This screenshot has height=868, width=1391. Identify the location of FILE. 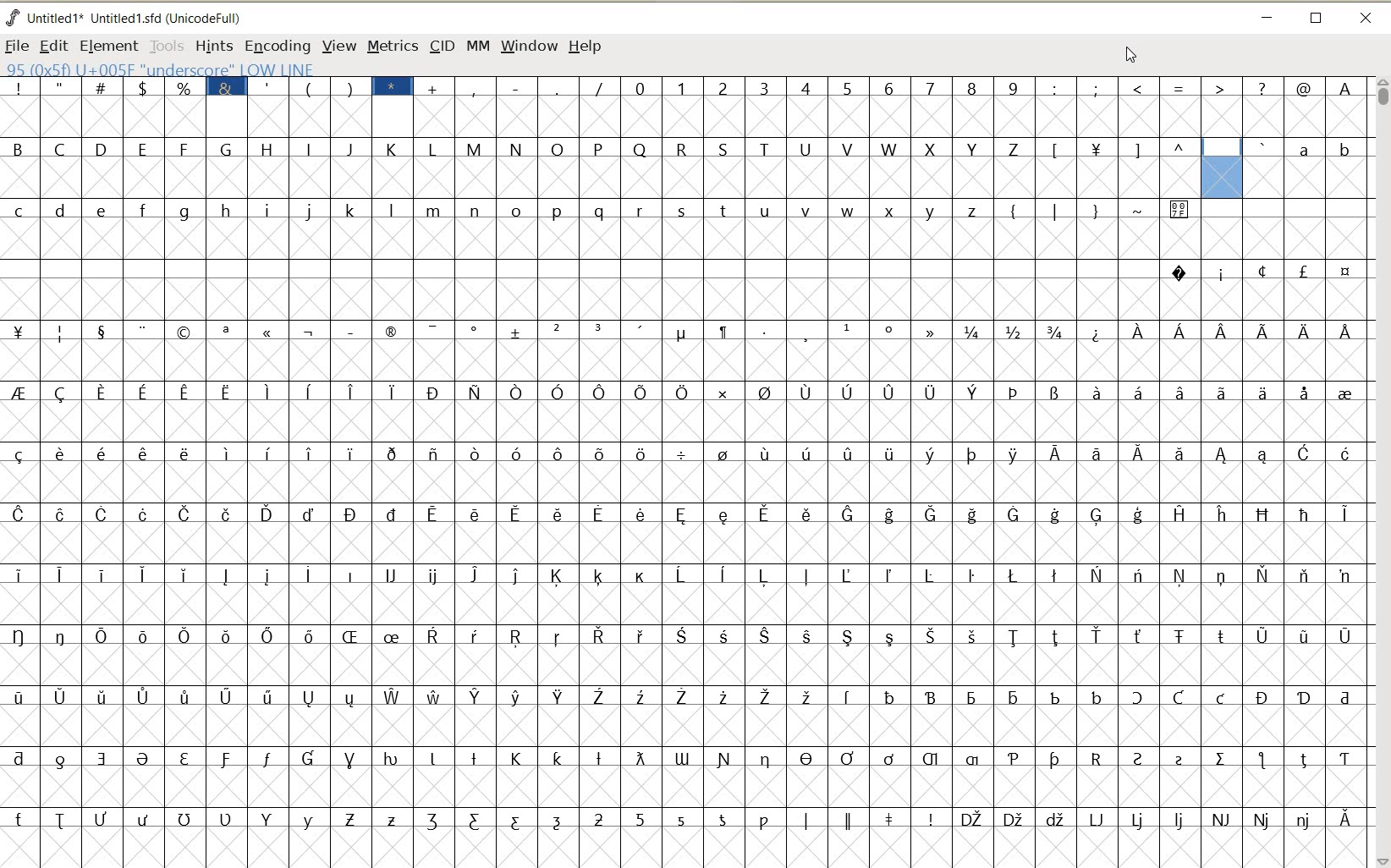
(17, 46).